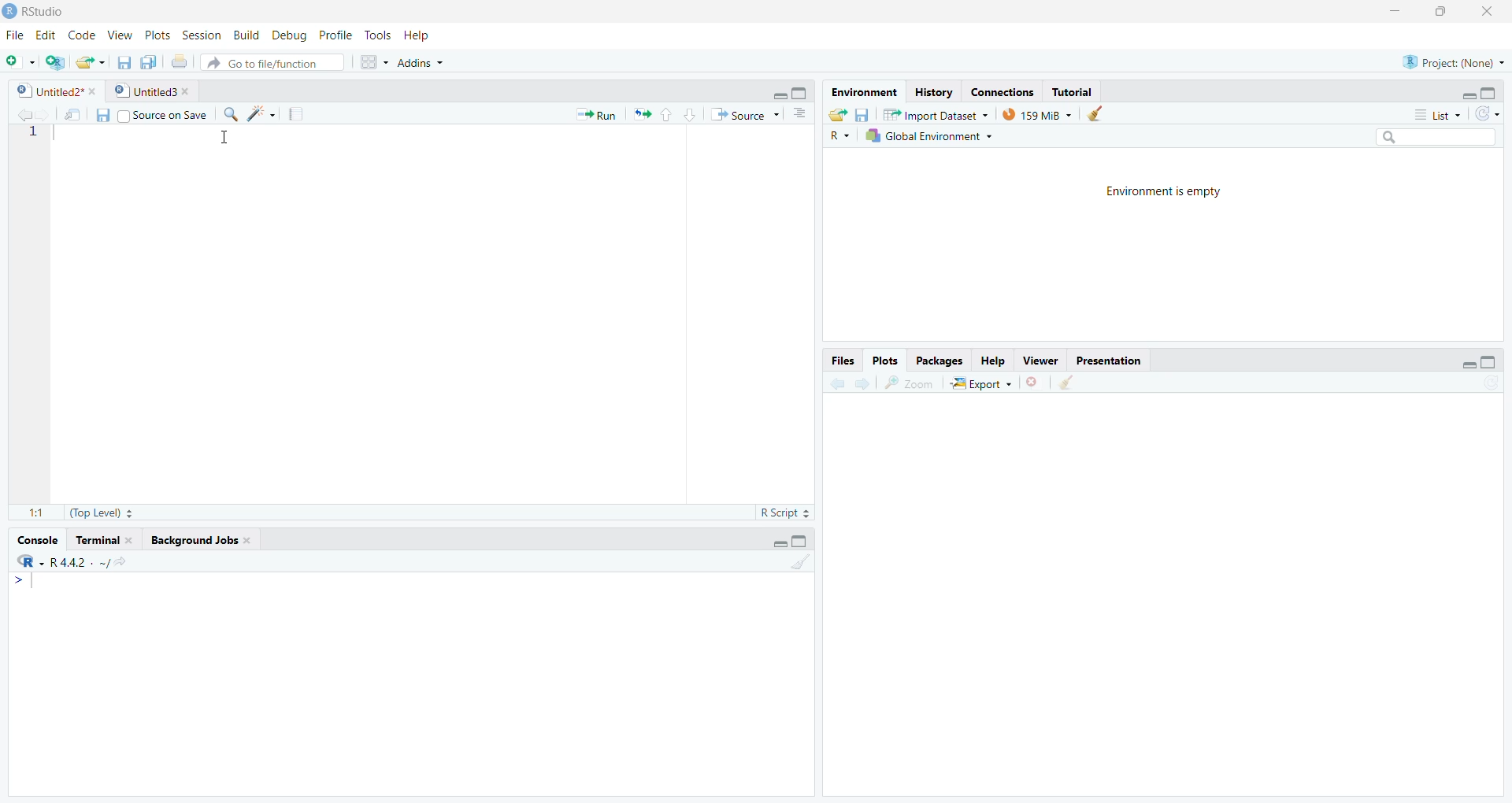  Describe the element at coordinates (1490, 383) in the screenshot. I see `Refresh` at that location.